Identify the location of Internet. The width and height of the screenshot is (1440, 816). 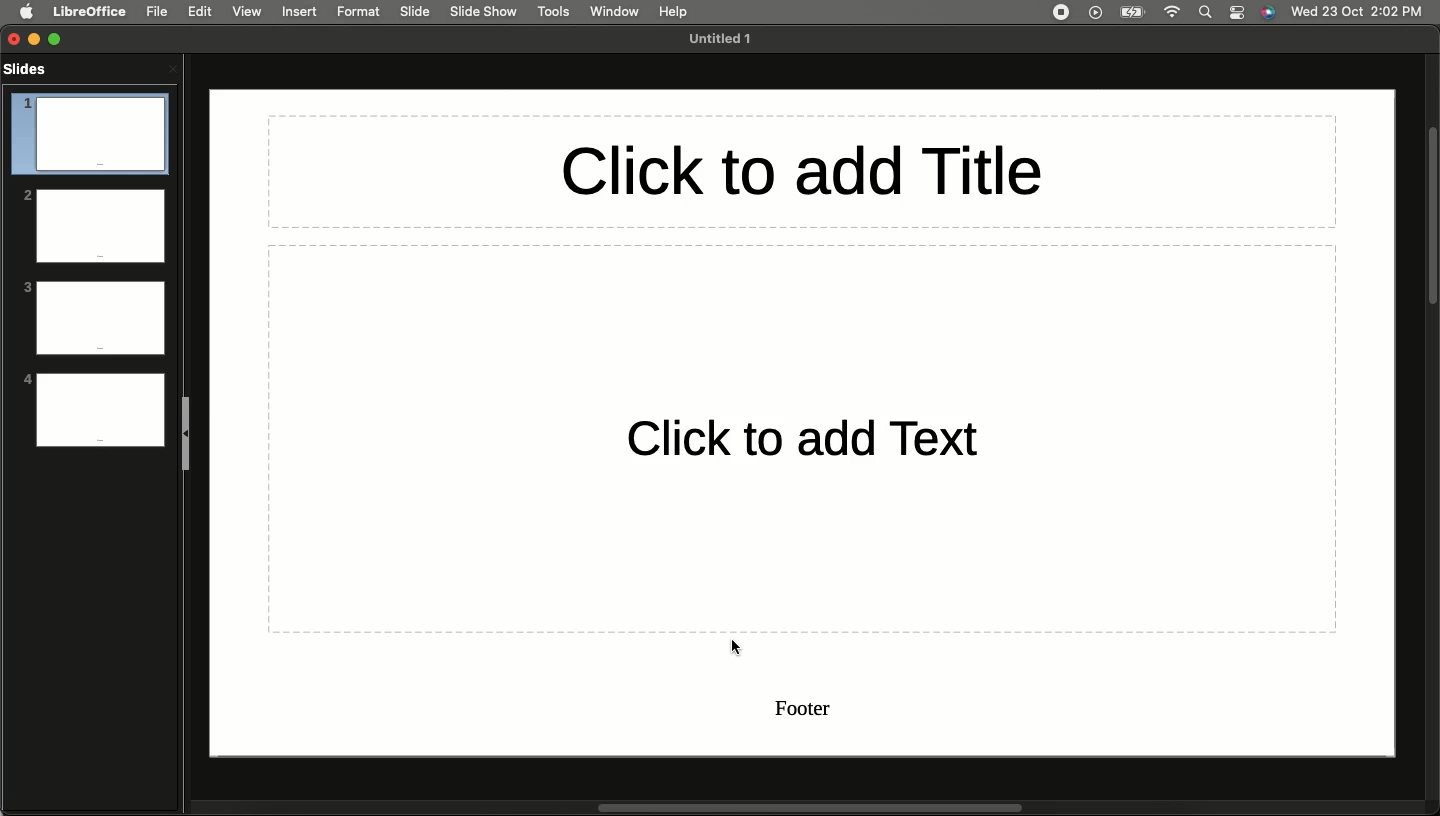
(1175, 12).